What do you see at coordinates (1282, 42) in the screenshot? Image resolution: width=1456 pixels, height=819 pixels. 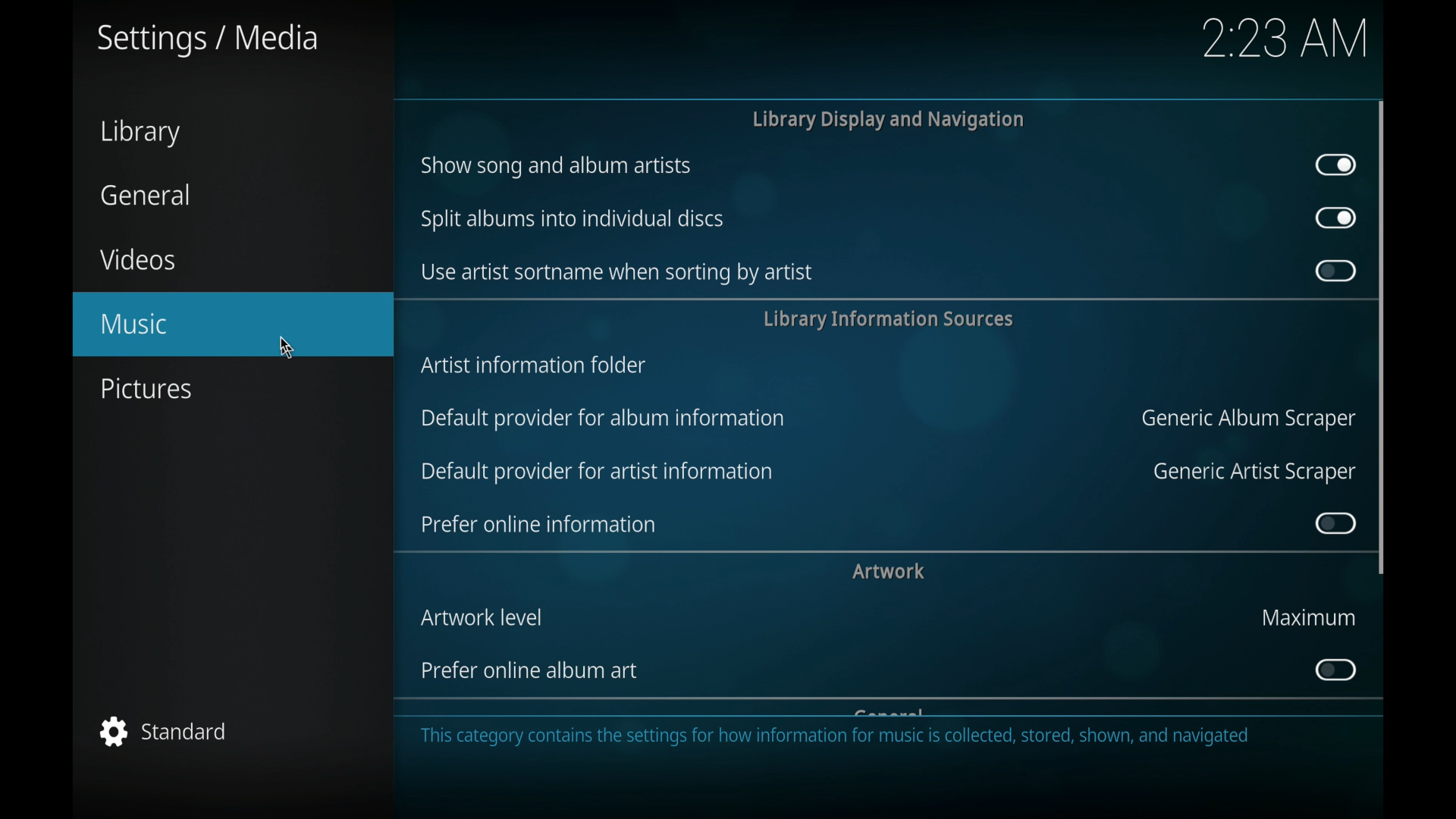 I see `2:23 AM` at bounding box center [1282, 42].